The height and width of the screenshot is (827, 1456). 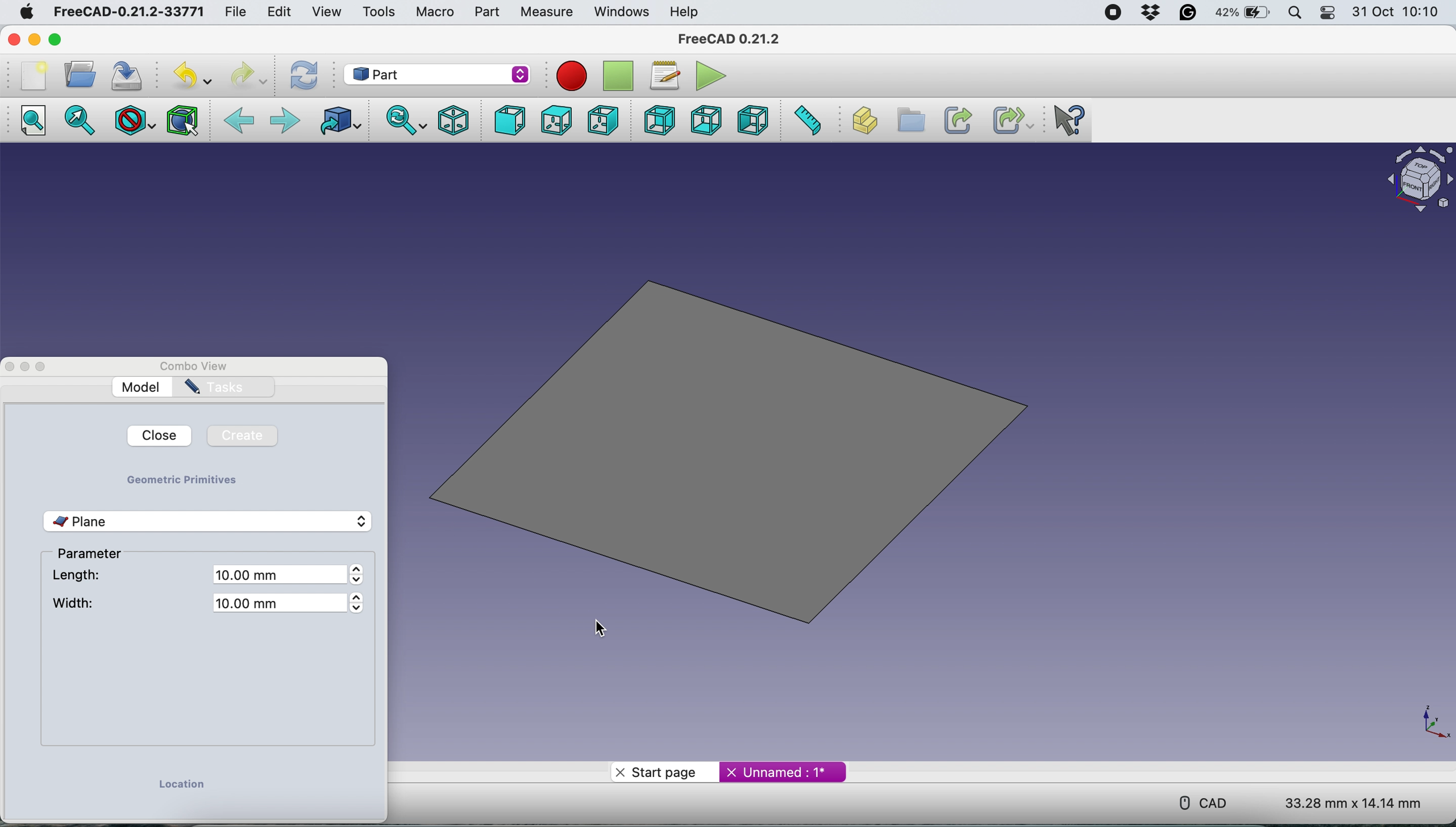 What do you see at coordinates (442, 75) in the screenshot?
I see `Work bench` at bounding box center [442, 75].